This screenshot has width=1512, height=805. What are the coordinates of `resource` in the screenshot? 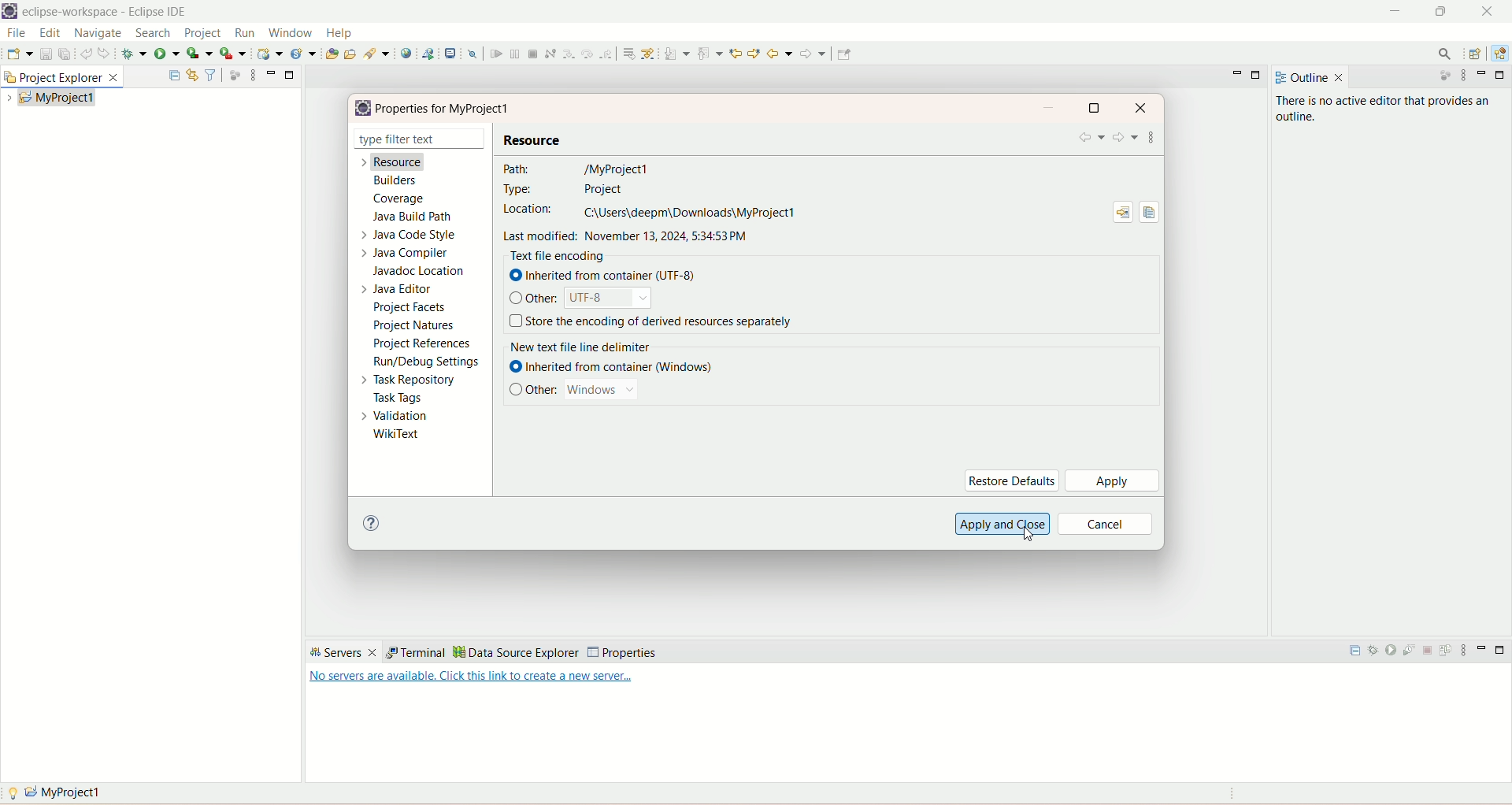 It's located at (395, 161).